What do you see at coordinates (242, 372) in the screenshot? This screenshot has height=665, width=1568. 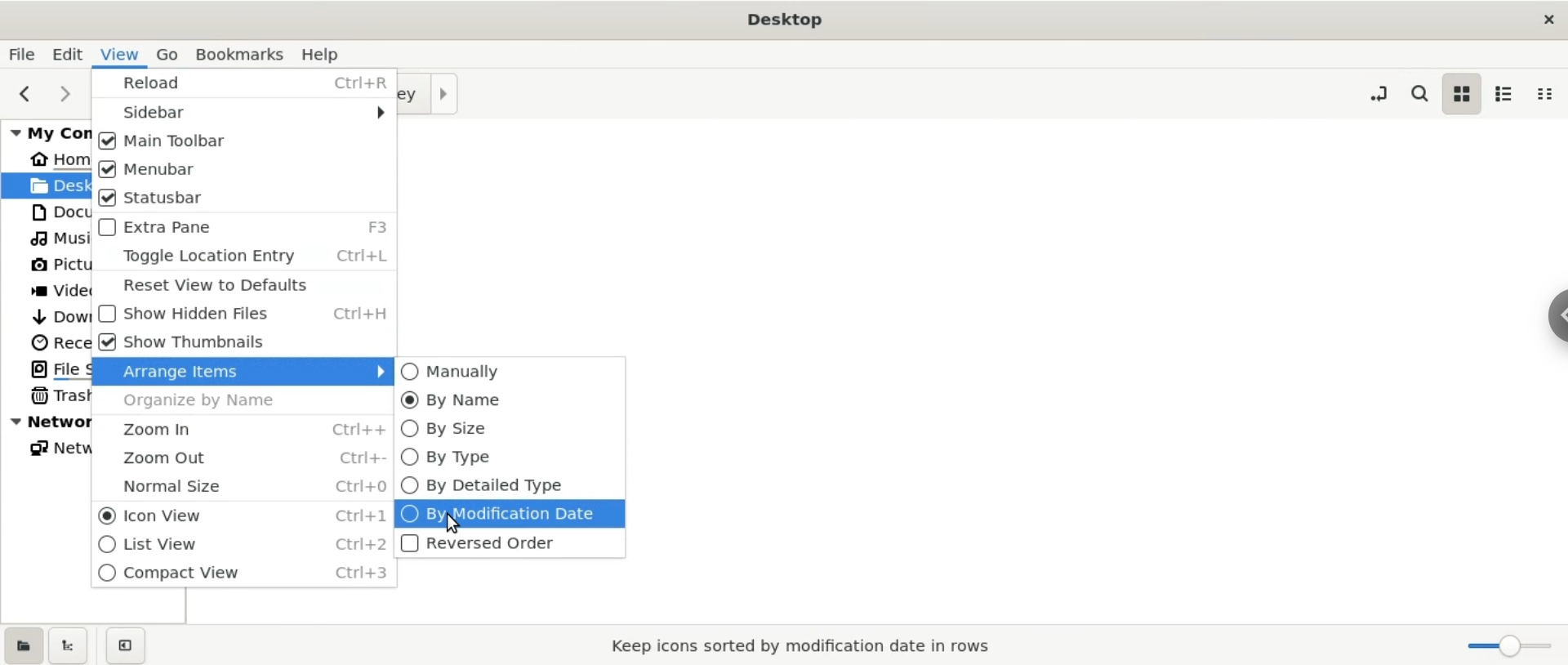 I see `arrage items` at bounding box center [242, 372].